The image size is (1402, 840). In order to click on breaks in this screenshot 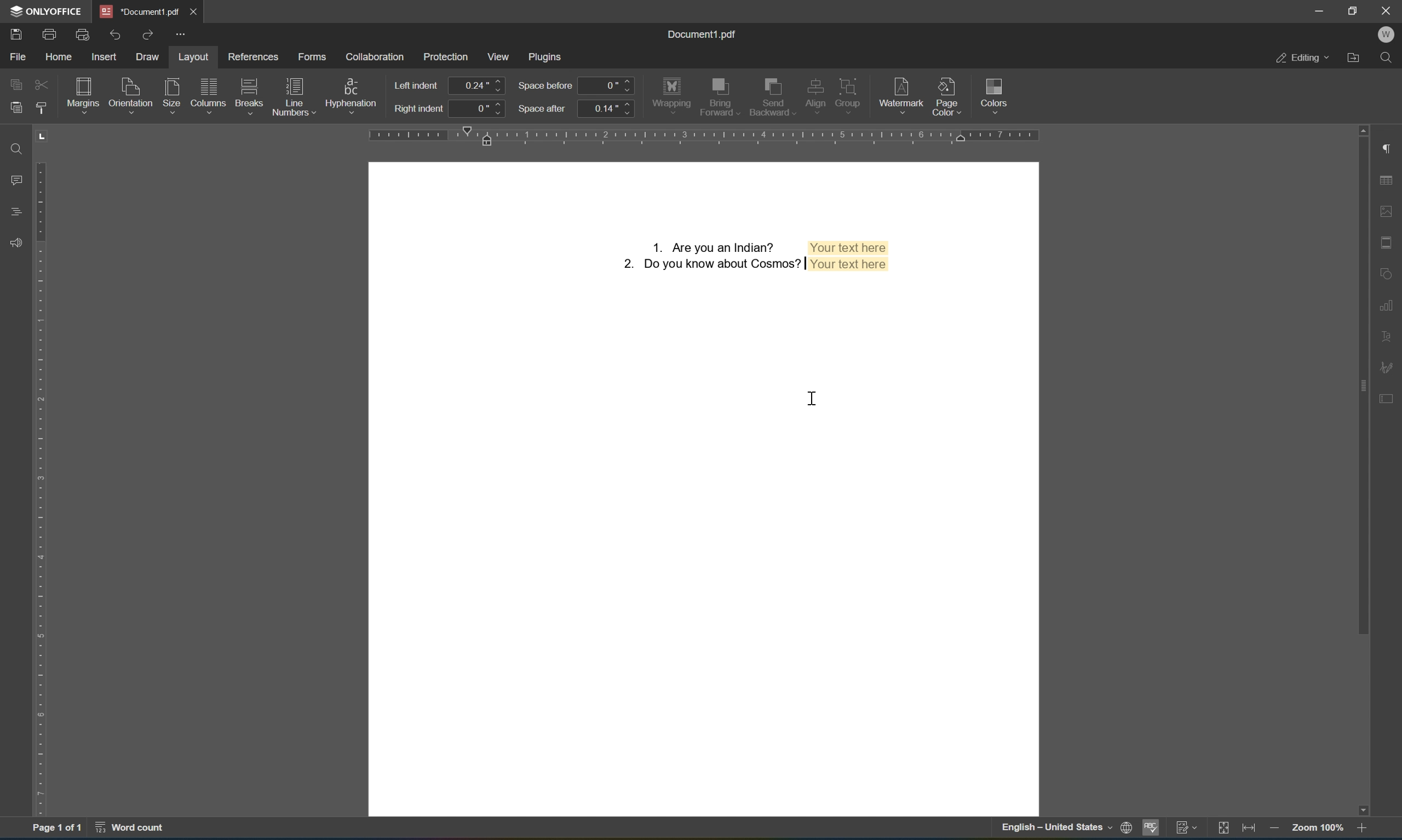, I will do `click(249, 96)`.